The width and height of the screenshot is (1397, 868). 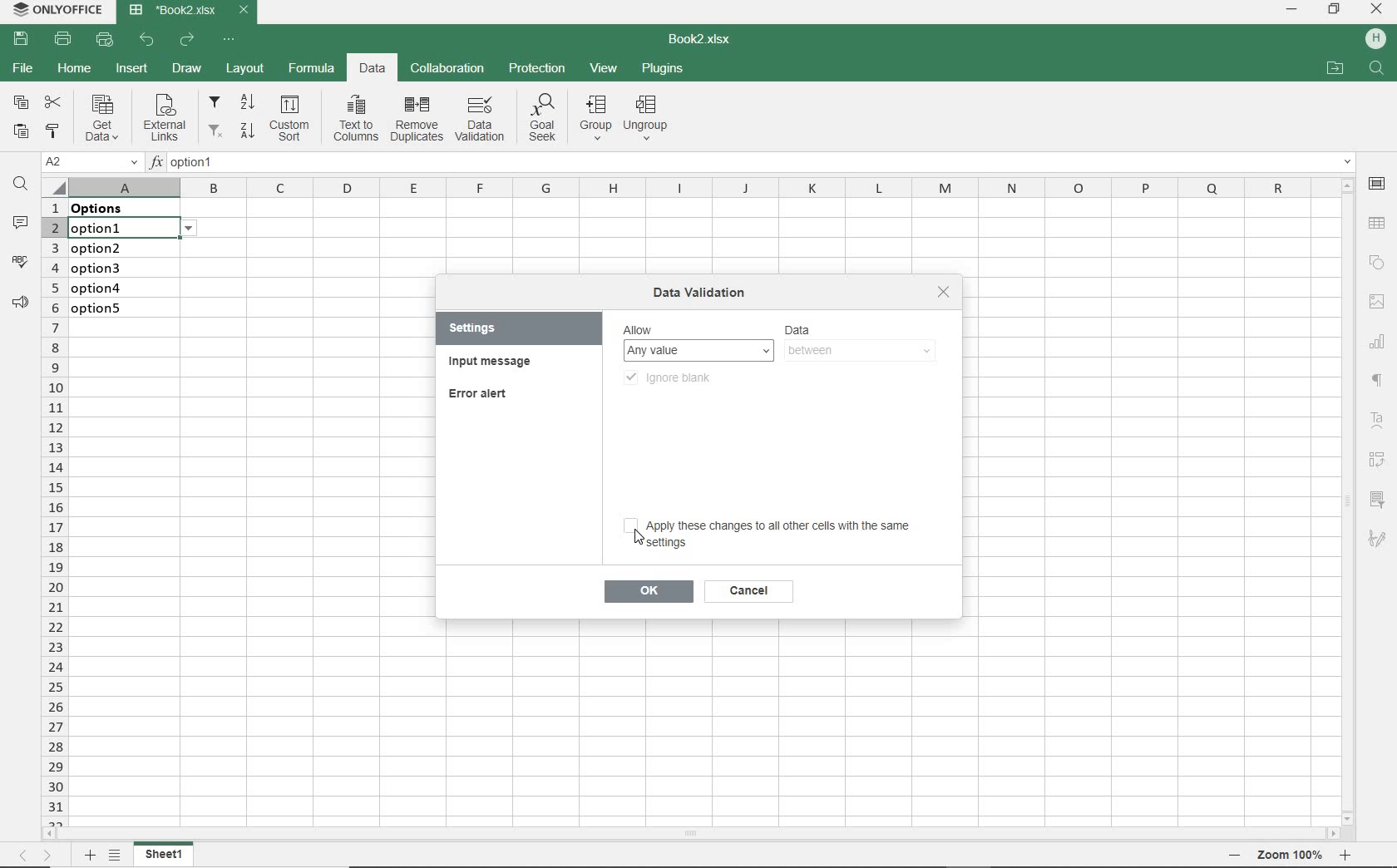 What do you see at coordinates (748, 593) in the screenshot?
I see `cancel` at bounding box center [748, 593].